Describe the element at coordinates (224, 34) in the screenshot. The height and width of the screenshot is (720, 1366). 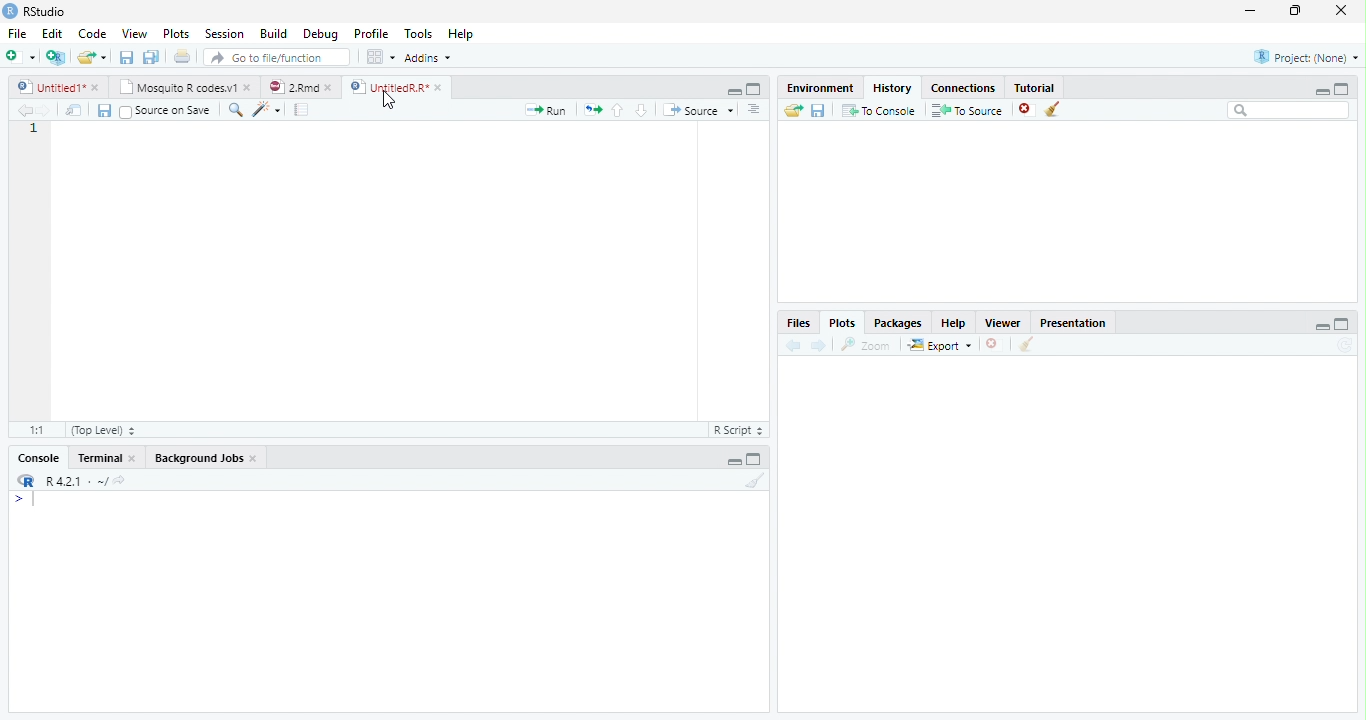
I see `Session` at that location.